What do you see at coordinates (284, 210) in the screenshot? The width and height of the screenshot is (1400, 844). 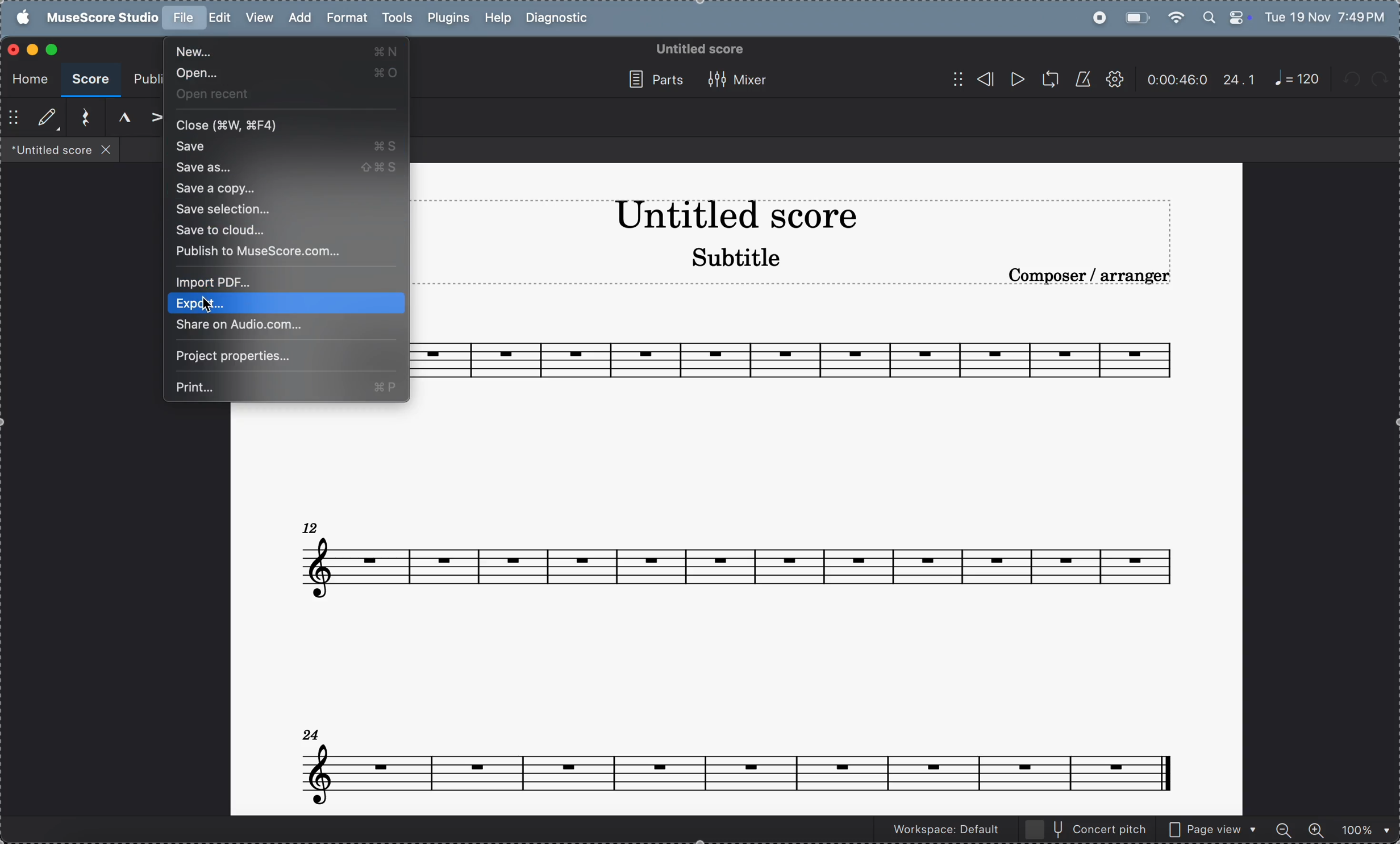 I see `save selection` at bounding box center [284, 210].